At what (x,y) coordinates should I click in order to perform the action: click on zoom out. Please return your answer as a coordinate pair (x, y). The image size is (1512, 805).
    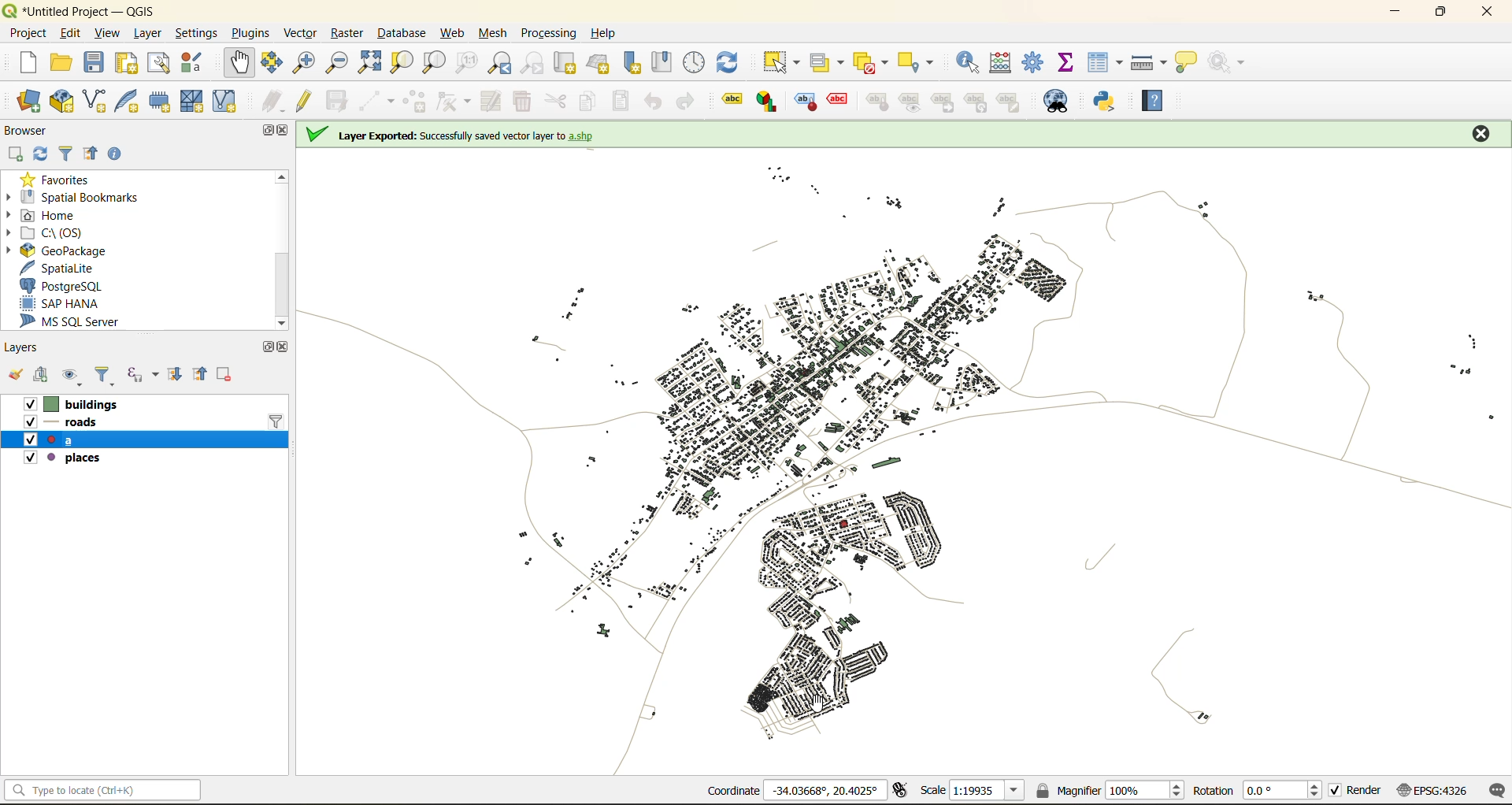
    Looking at the image, I should click on (341, 61).